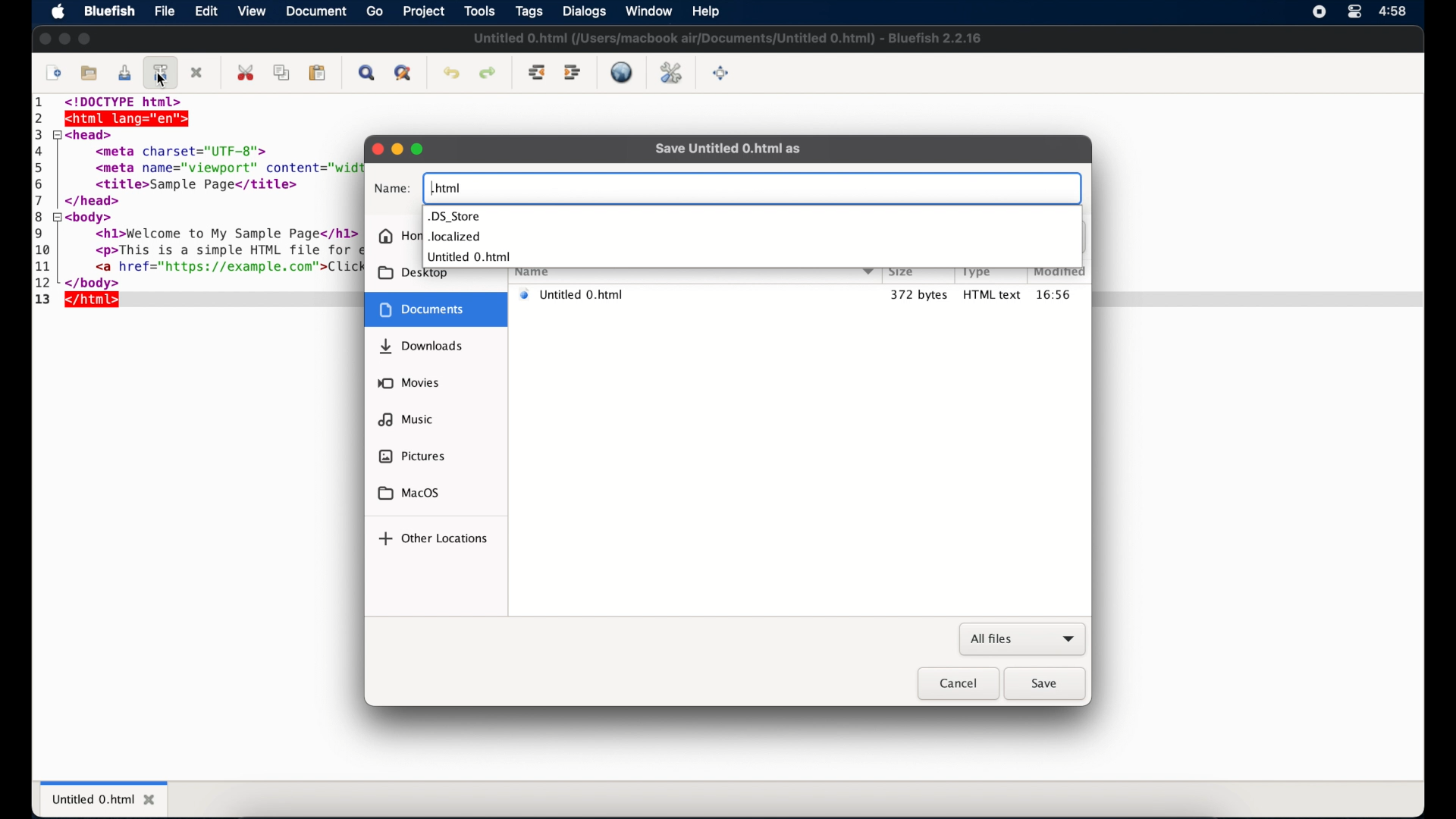 This screenshot has width=1456, height=819. Describe the element at coordinates (284, 73) in the screenshot. I see `copy` at that location.